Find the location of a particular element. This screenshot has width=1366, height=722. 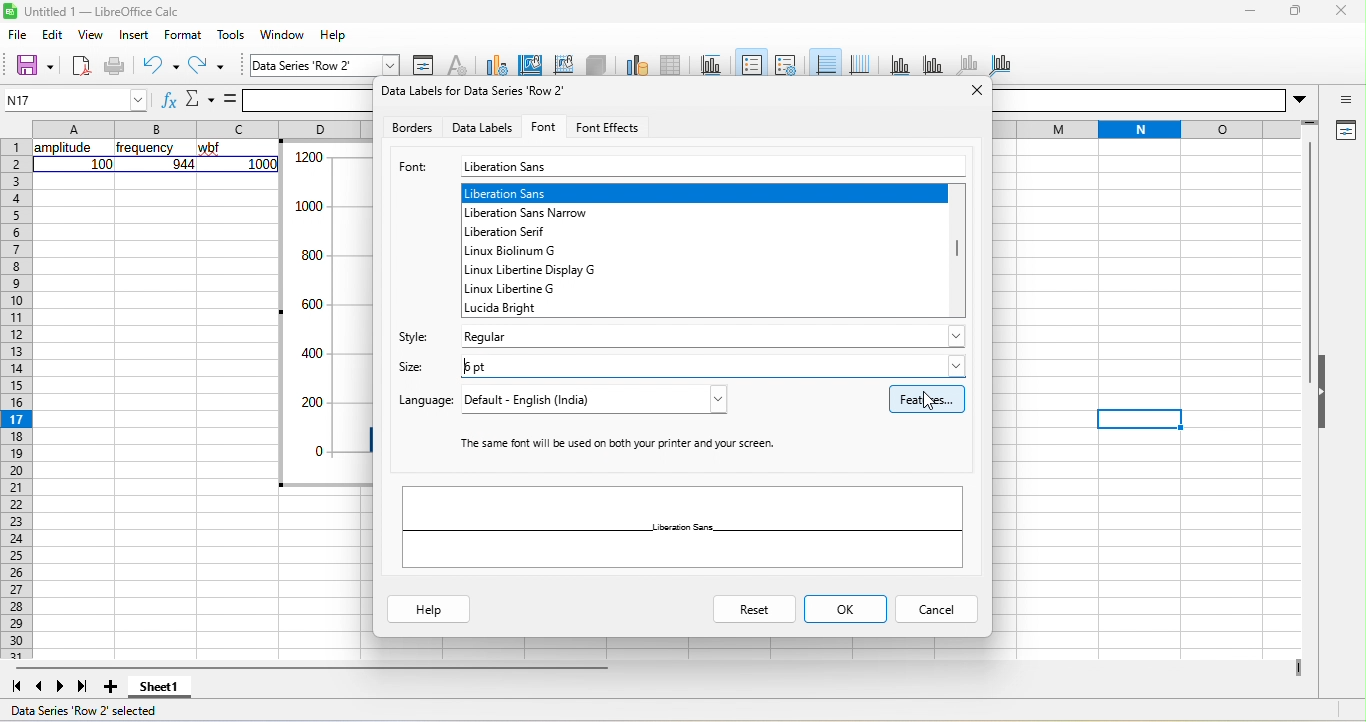

format selection is located at coordinates (425, 63).